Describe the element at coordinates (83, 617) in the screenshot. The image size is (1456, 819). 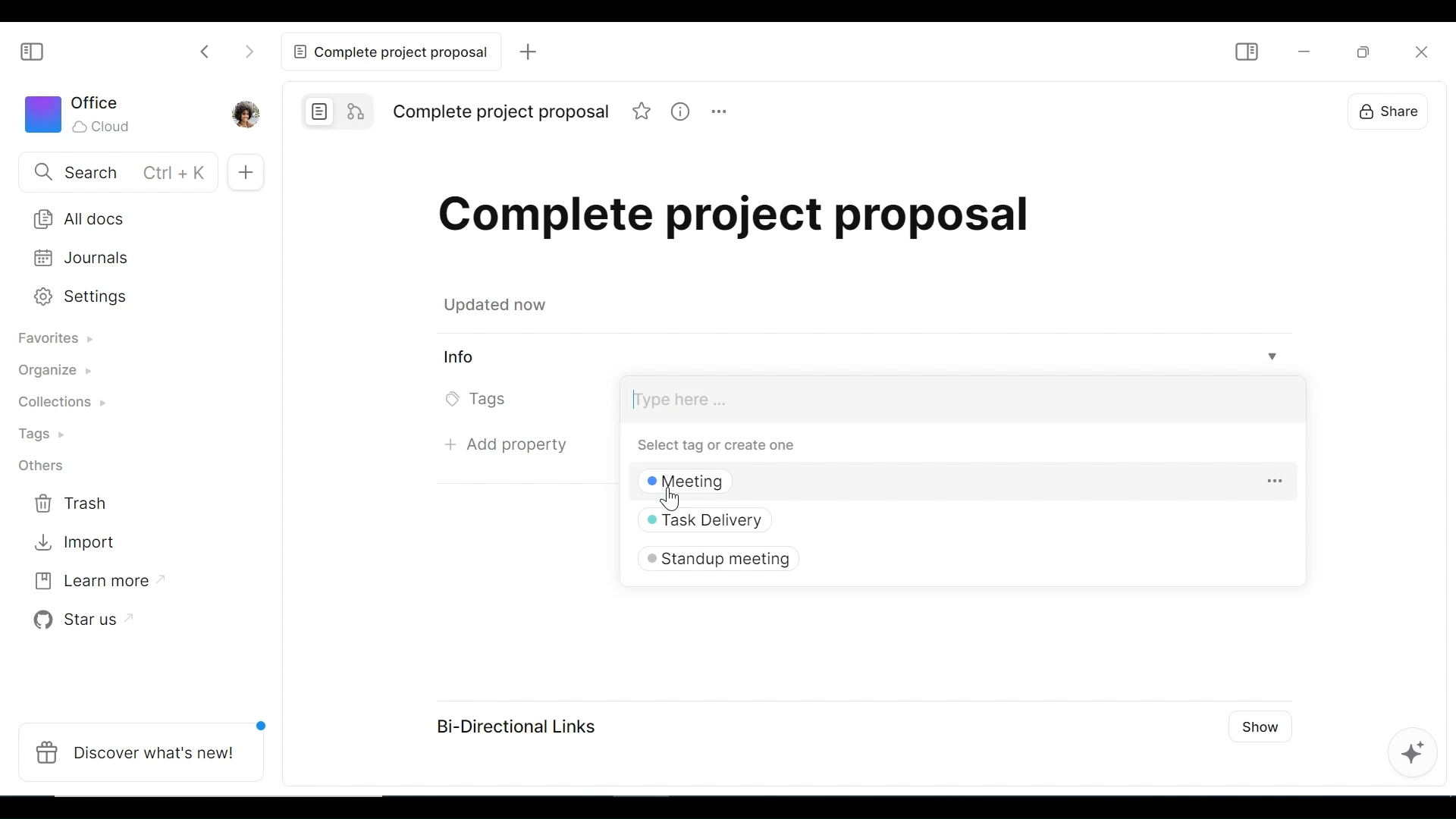
I see `Star us` at that location.